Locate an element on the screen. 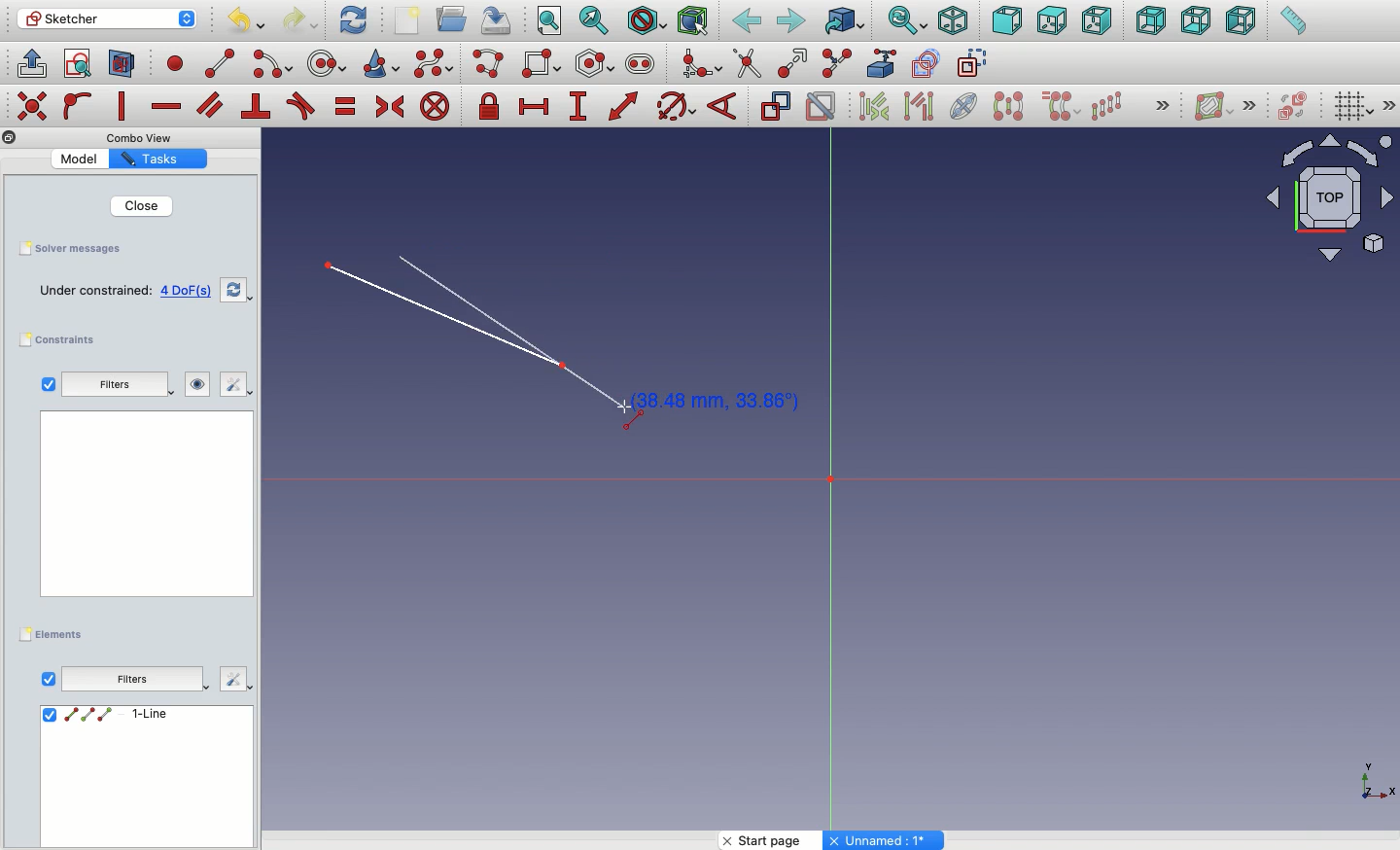 This screenshot has height=850, width=1400. Conci is located at coordinates (382, 63).